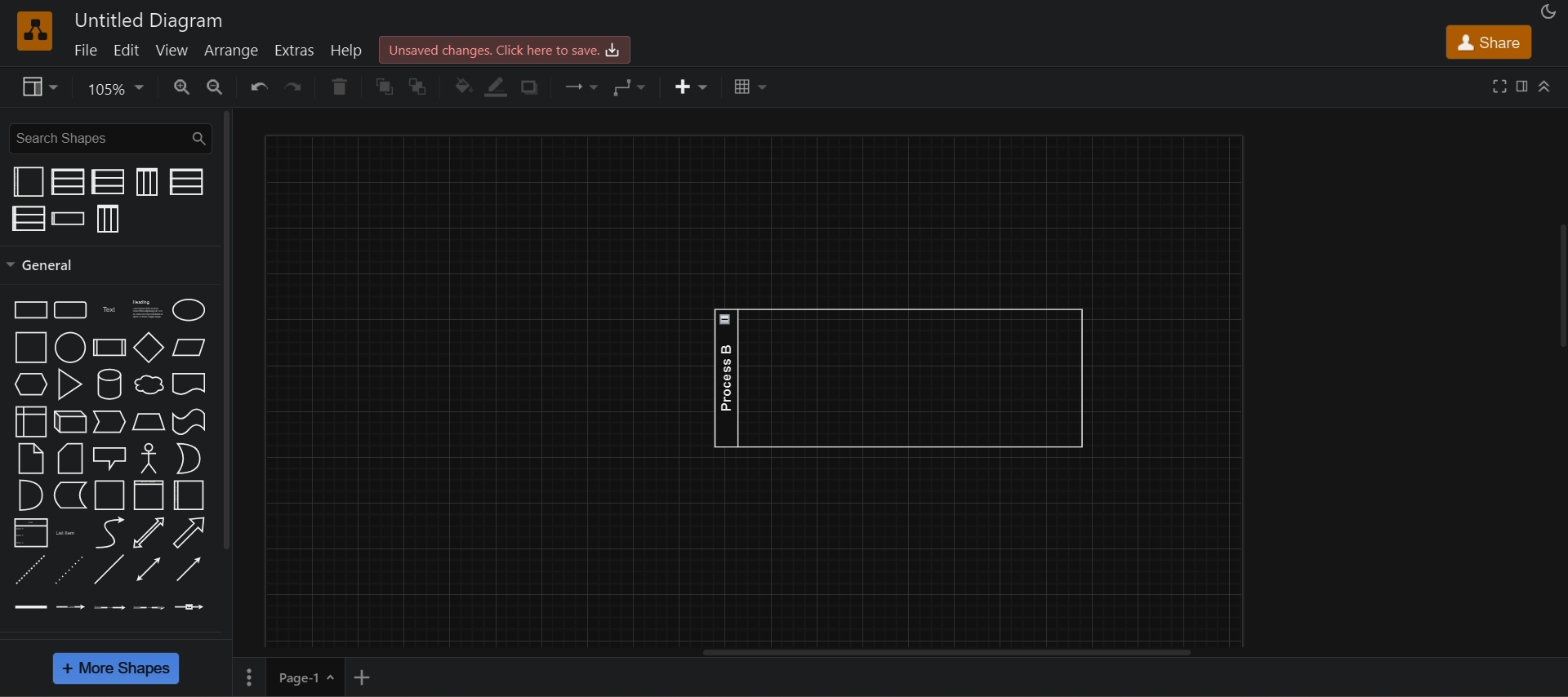 This screenshot has height=697, width=1568. I want to click on connector with label, so click(69, 608).